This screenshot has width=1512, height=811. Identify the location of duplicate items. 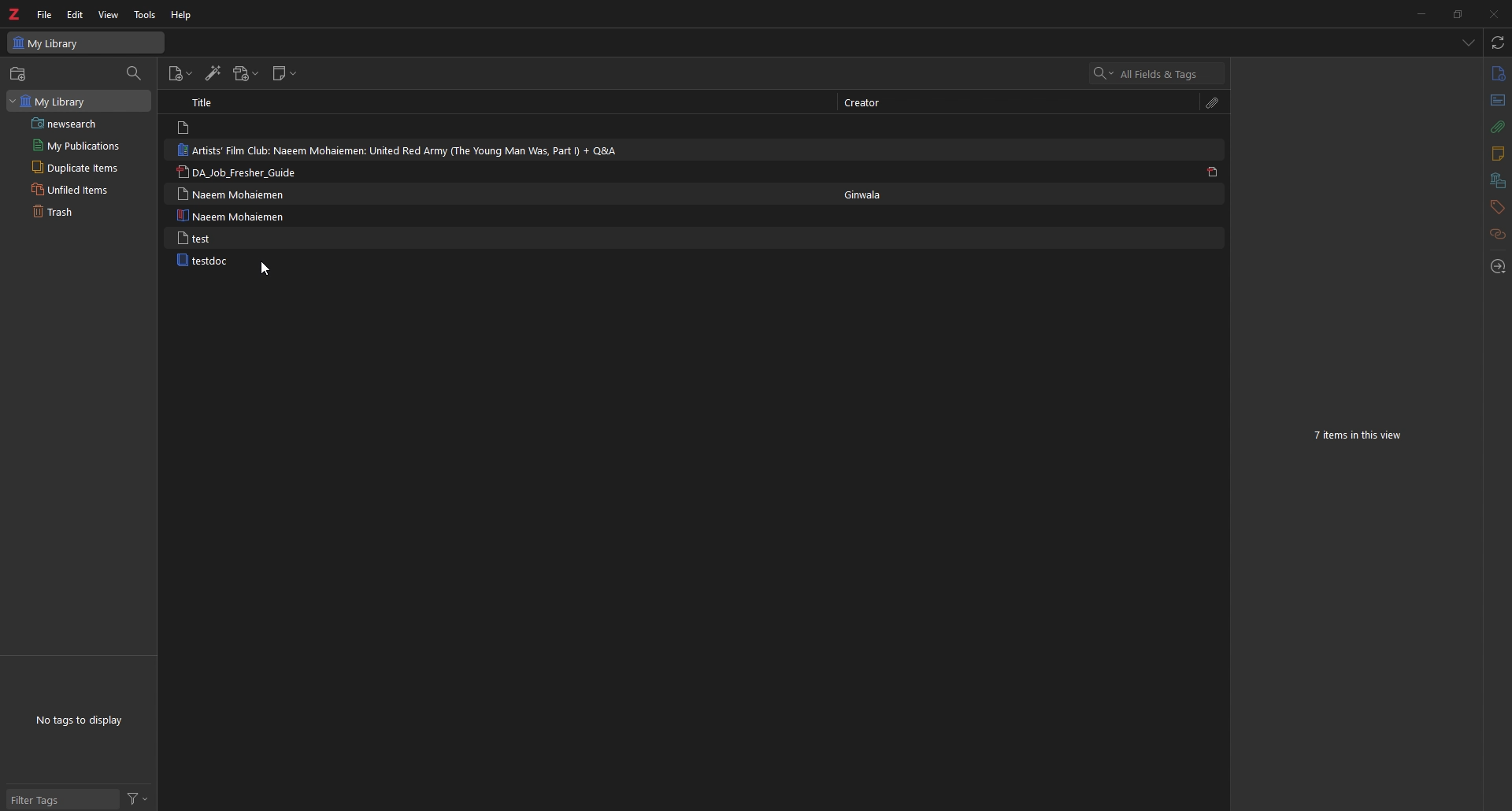
(76, 167).